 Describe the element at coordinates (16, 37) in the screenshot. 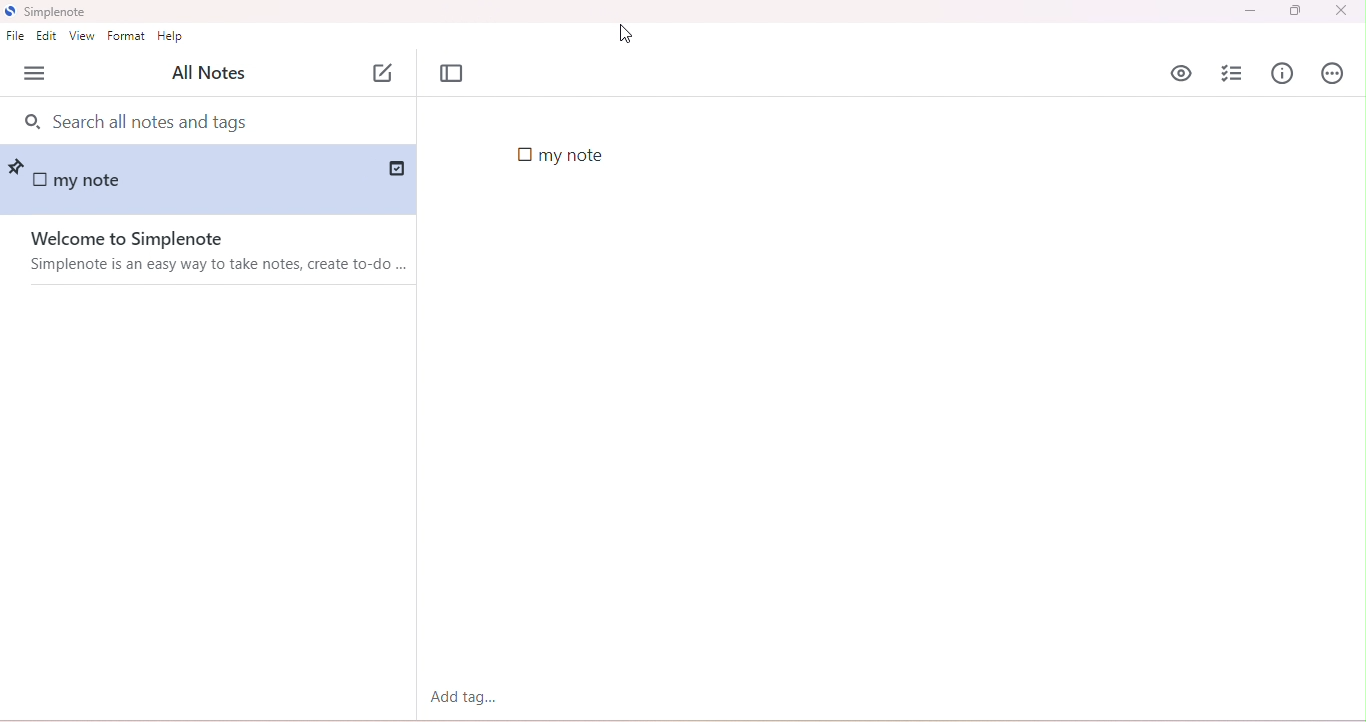

I see `file` at that location.